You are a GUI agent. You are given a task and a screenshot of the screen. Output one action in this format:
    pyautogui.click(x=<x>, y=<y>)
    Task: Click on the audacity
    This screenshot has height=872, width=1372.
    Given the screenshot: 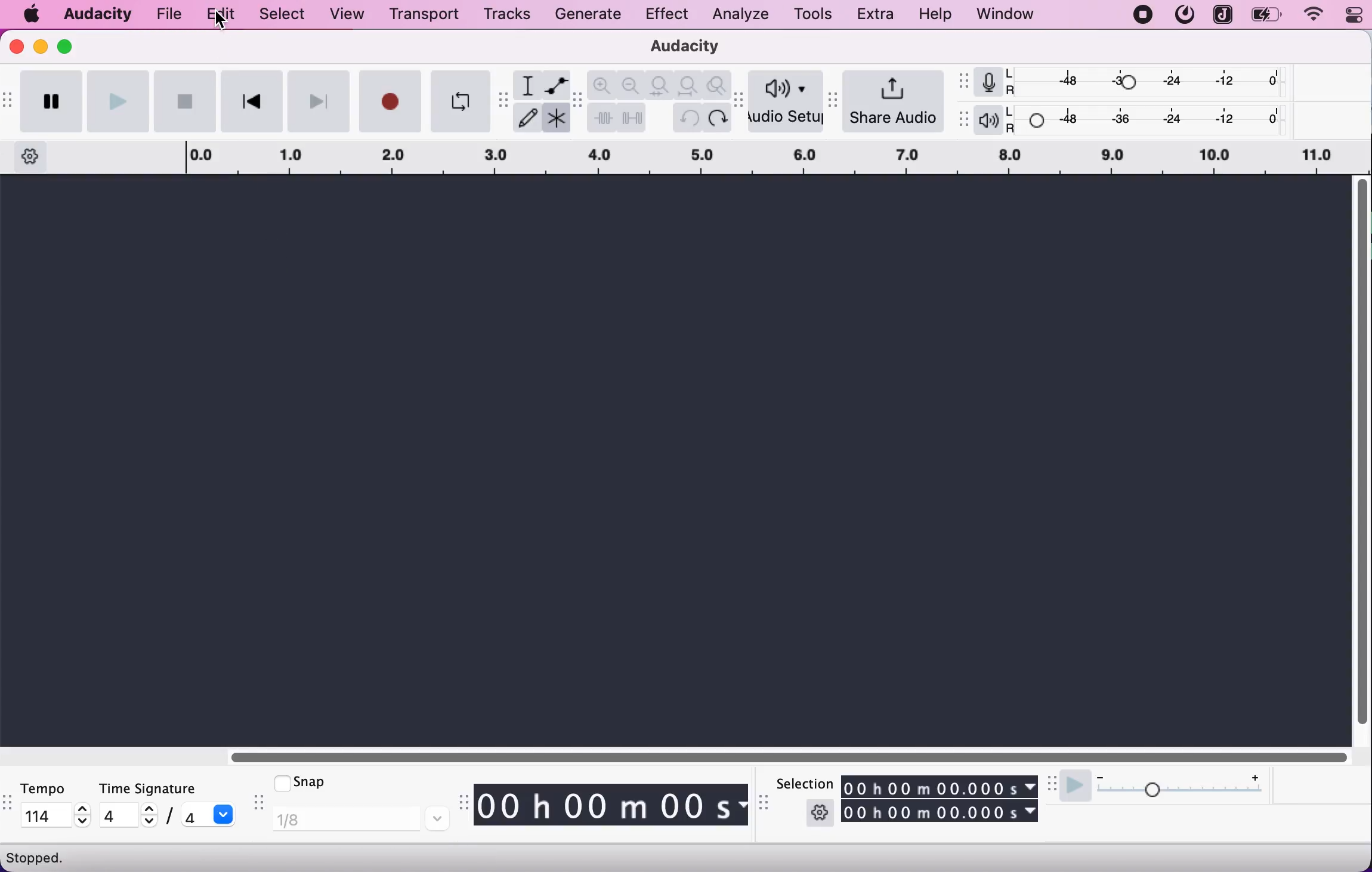 What is the action you would take?
    pyautogui.click(x=98, y=12)
    